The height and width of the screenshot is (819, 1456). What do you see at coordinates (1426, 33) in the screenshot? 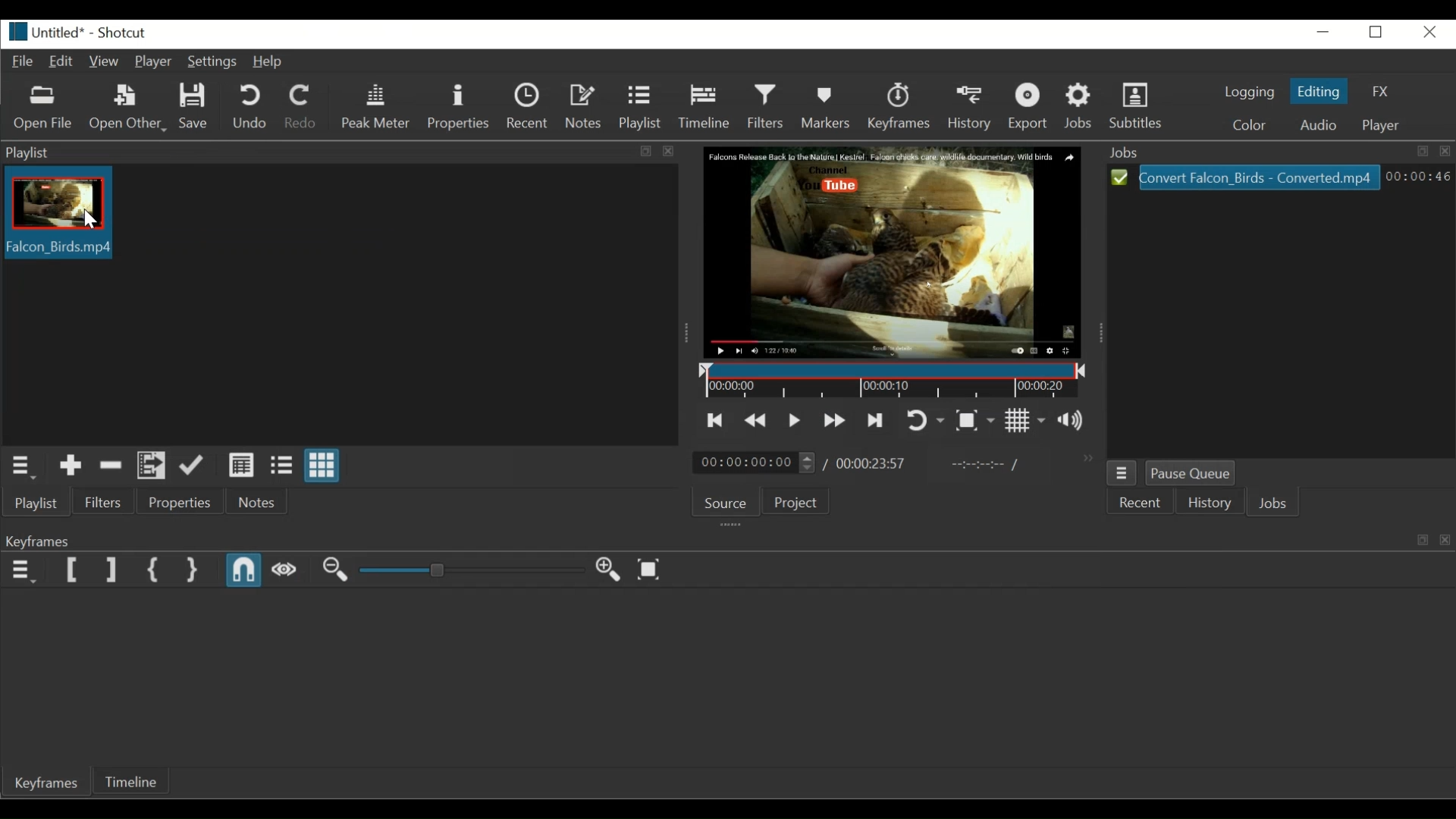
I see `Close` at bounding box center [1426, 33].